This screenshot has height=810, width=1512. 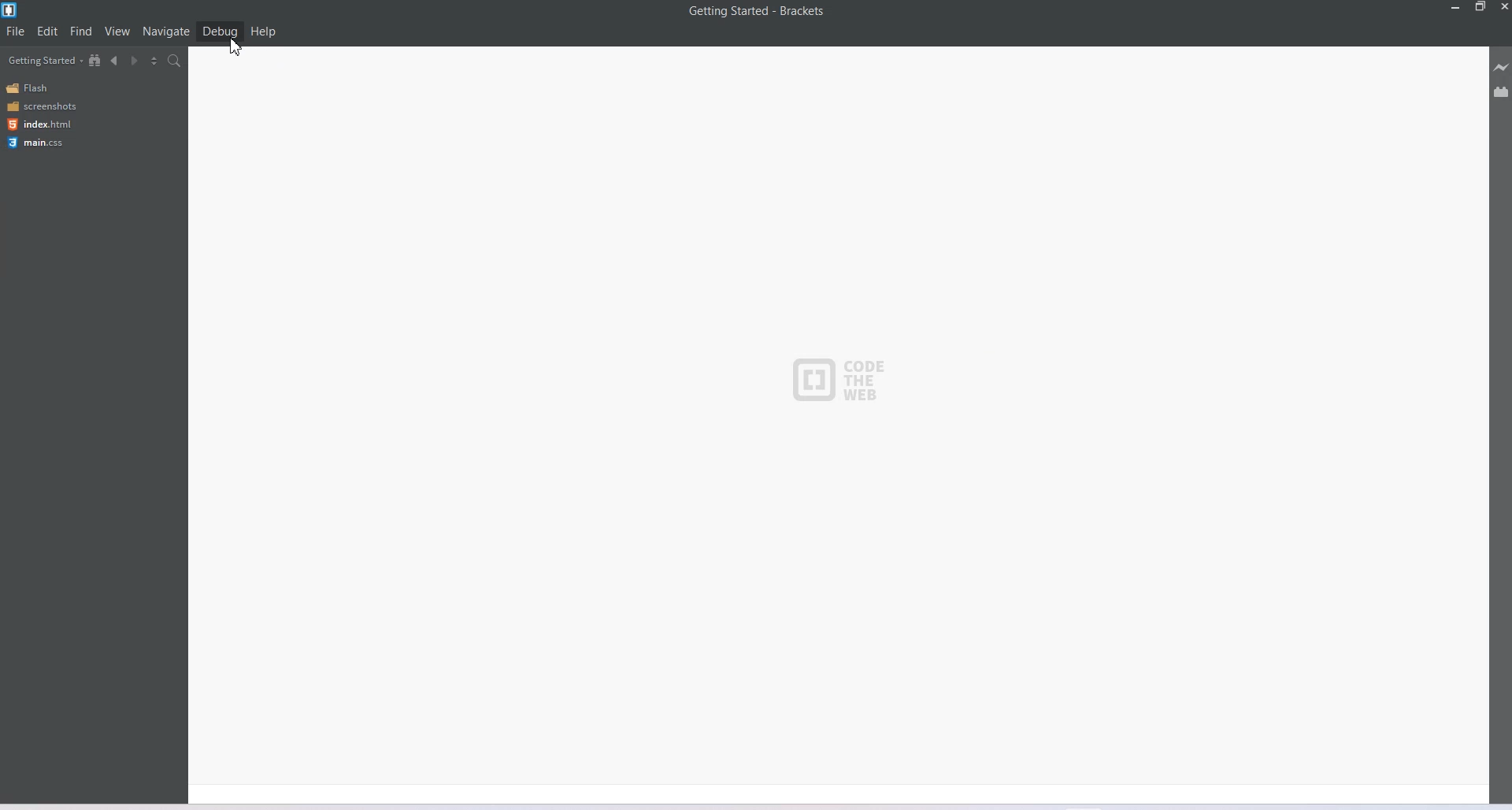 I want to click on code the web icon, so click(x=847, y=383).